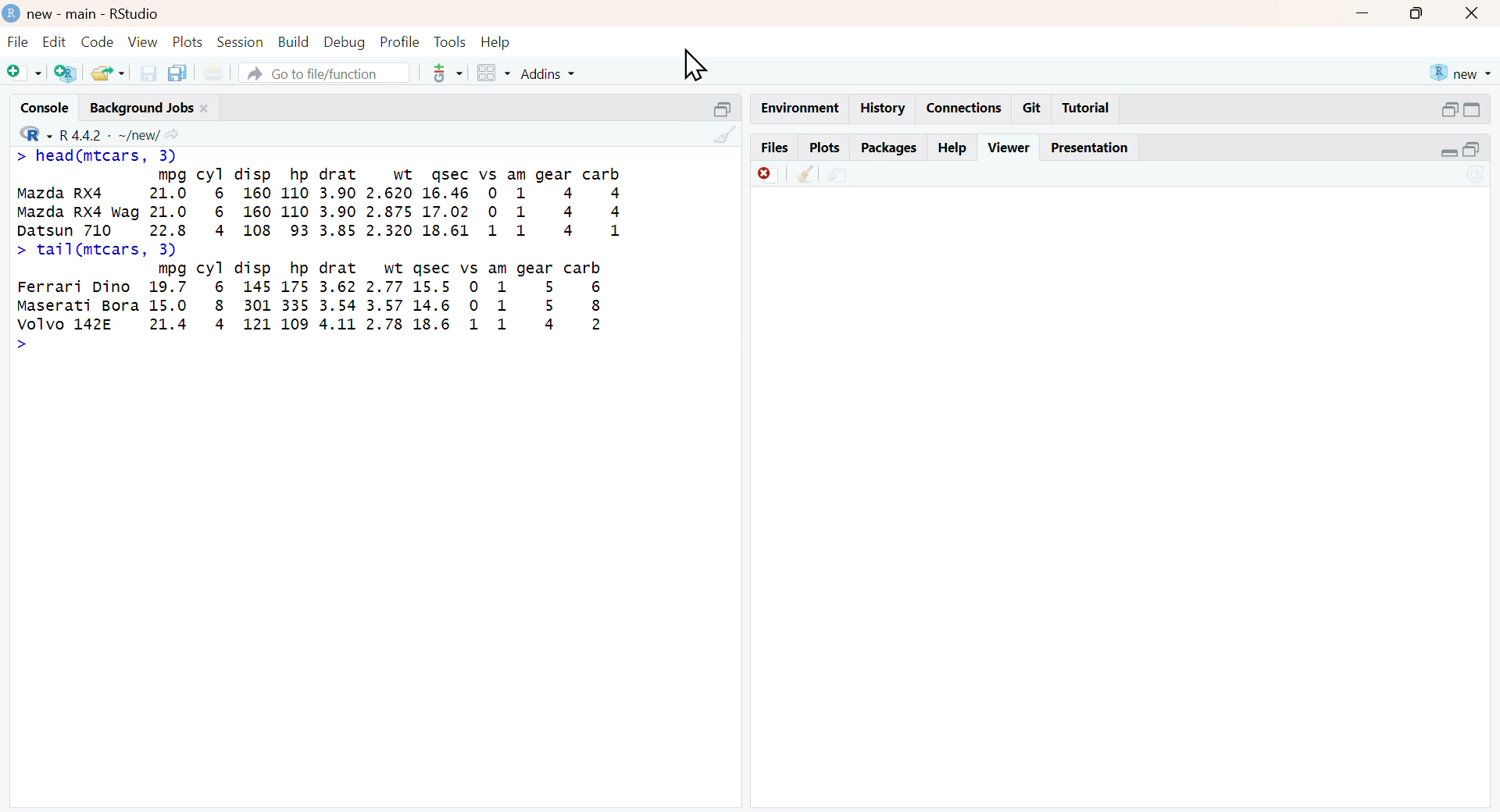 The height and width of the screenshot is (812, 1500). I want to click on Background Jobs, so click(163, 105).